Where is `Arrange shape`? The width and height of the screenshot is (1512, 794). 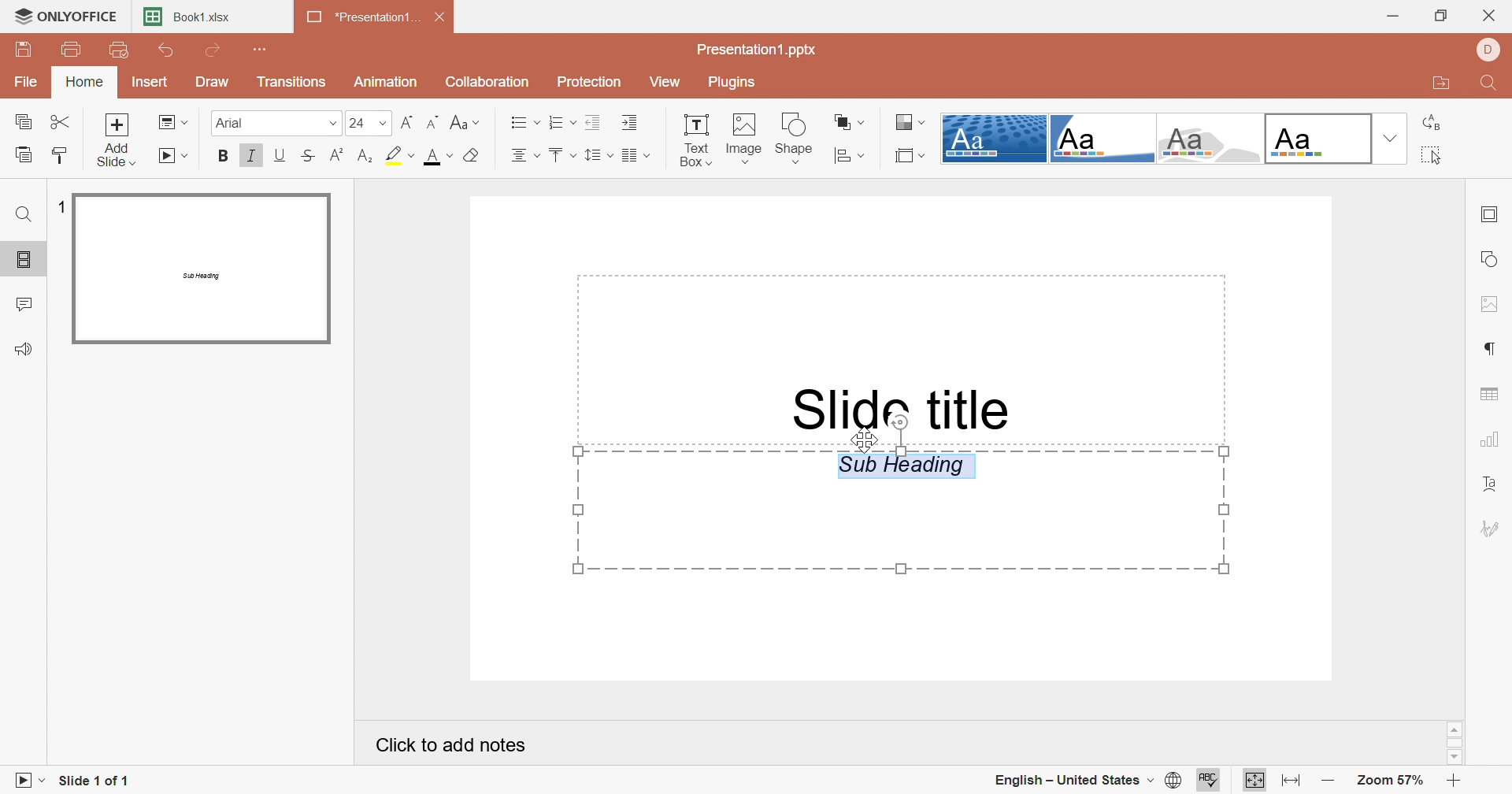
Arrange shape is located at coordinates (846, 121).